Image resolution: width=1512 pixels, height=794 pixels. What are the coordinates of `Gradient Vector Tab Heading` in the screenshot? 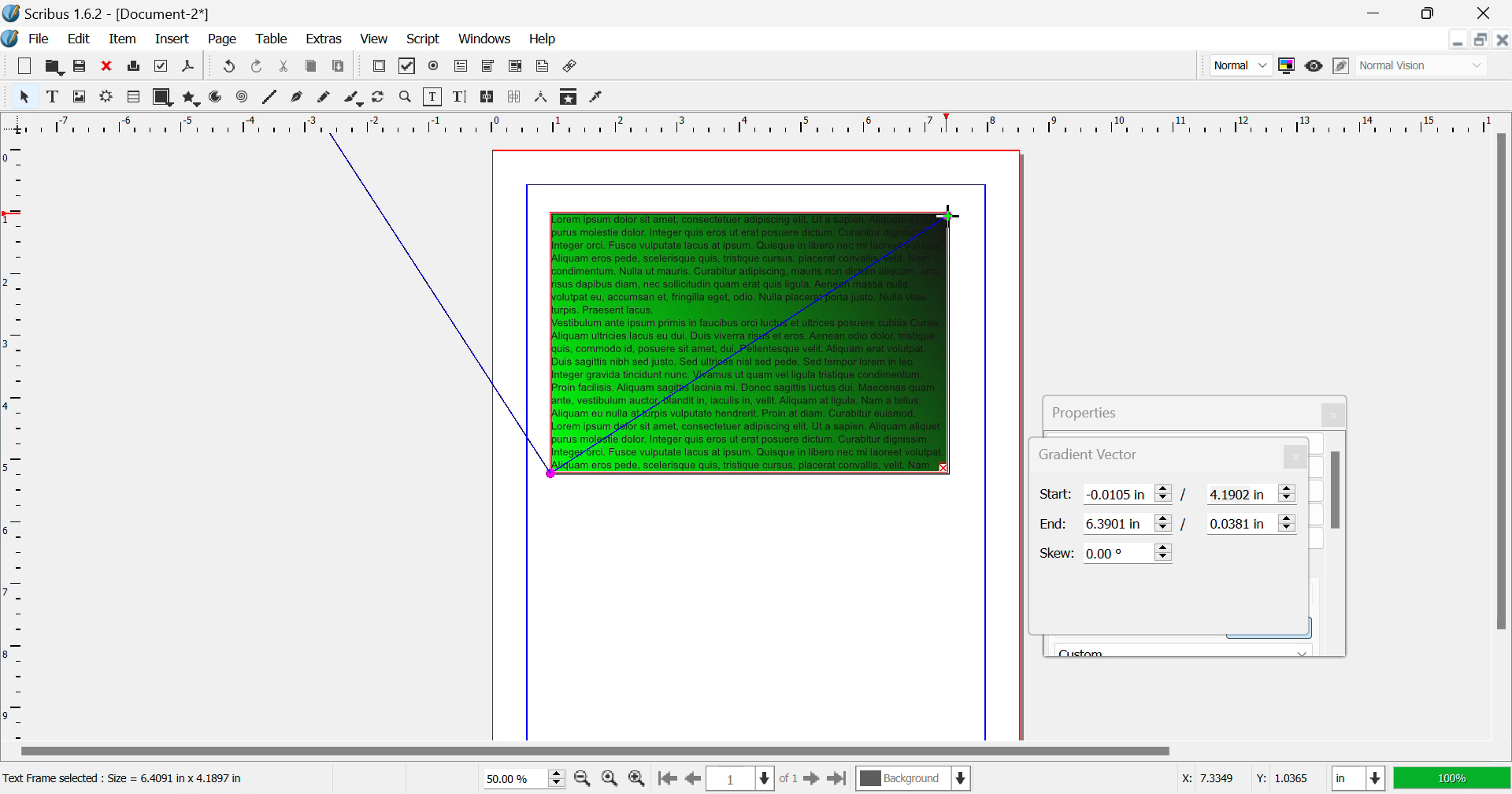 It's located at (1043, 455).